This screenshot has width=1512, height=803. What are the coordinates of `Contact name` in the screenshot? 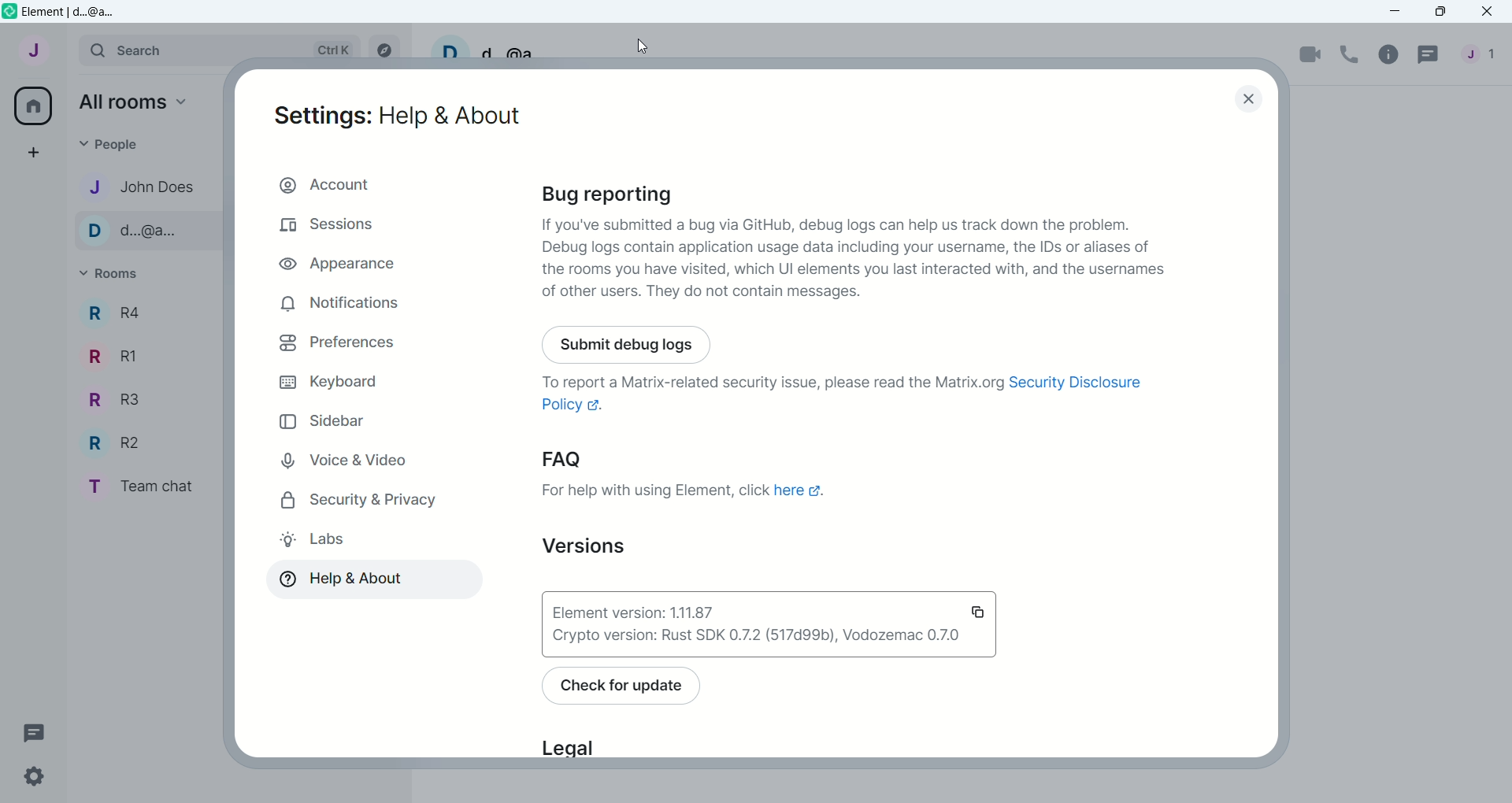 It's located at (145, 185).